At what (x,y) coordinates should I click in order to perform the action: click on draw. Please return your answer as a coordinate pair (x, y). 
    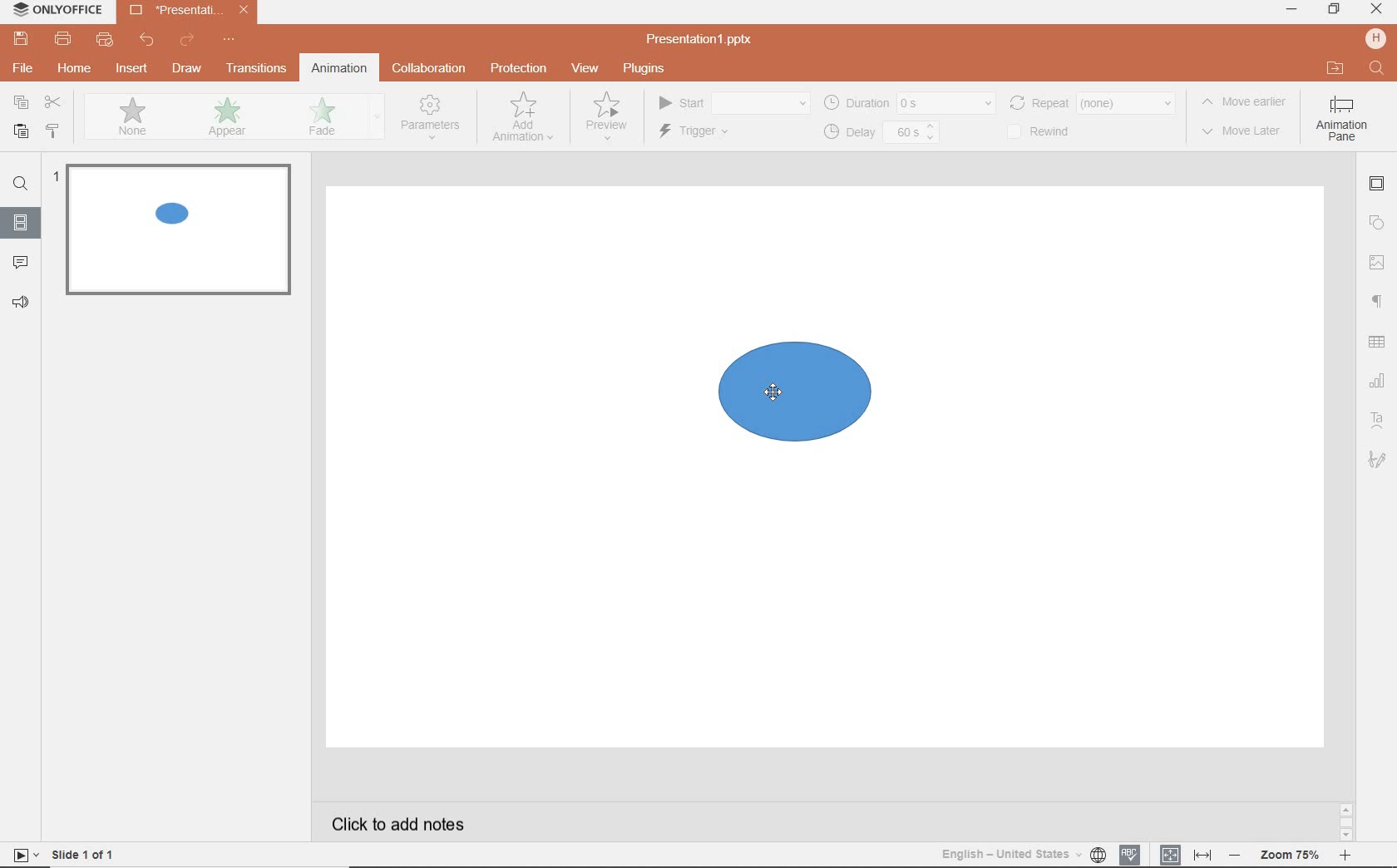
    Looking at the image, I should click on (187, 68).